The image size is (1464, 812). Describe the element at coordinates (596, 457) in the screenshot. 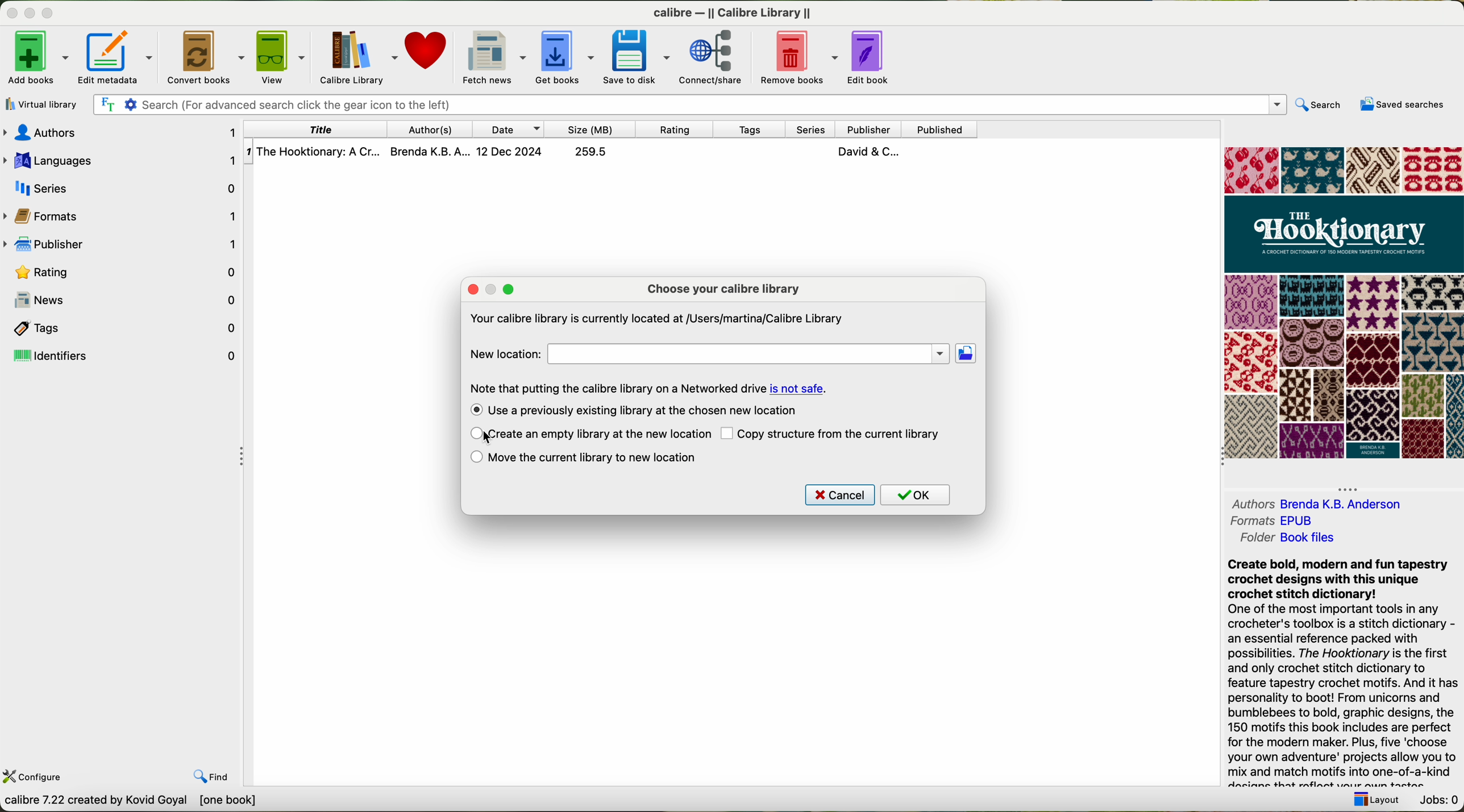

I see `move the current library to the new location` at that location.